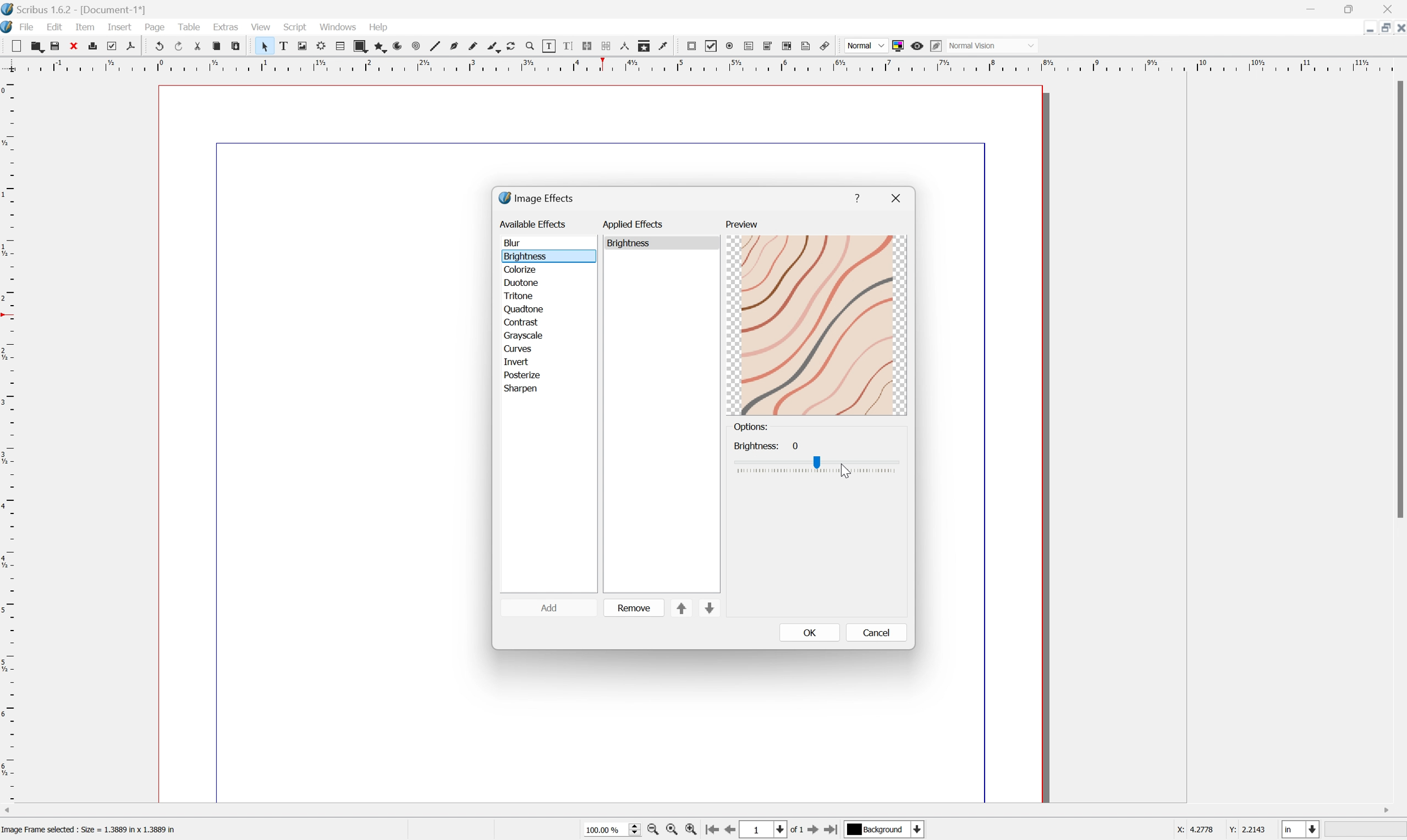  Describe the element at coordinates (526, 256) in the screenshot. I see `brightness` at that location.